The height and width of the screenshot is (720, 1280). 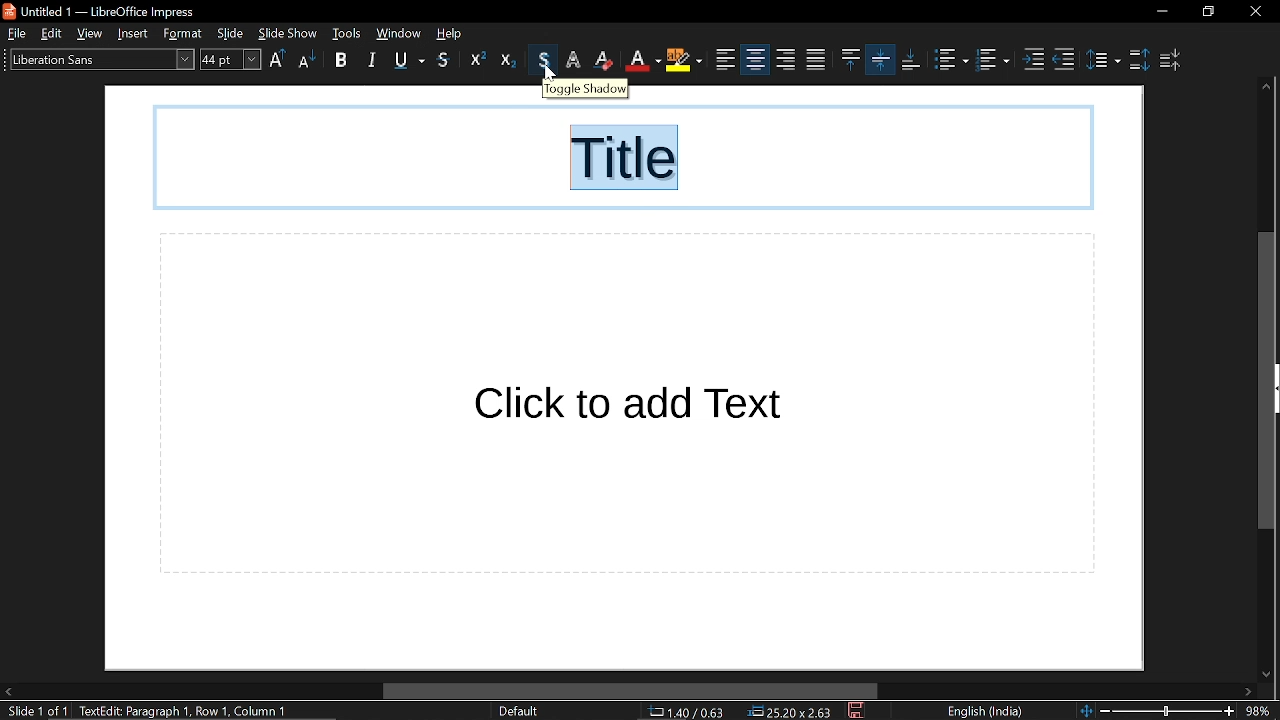 What do you see at coordinates (16, 33) in the screenshot?
I see `file` at bounding box center [16, 33].